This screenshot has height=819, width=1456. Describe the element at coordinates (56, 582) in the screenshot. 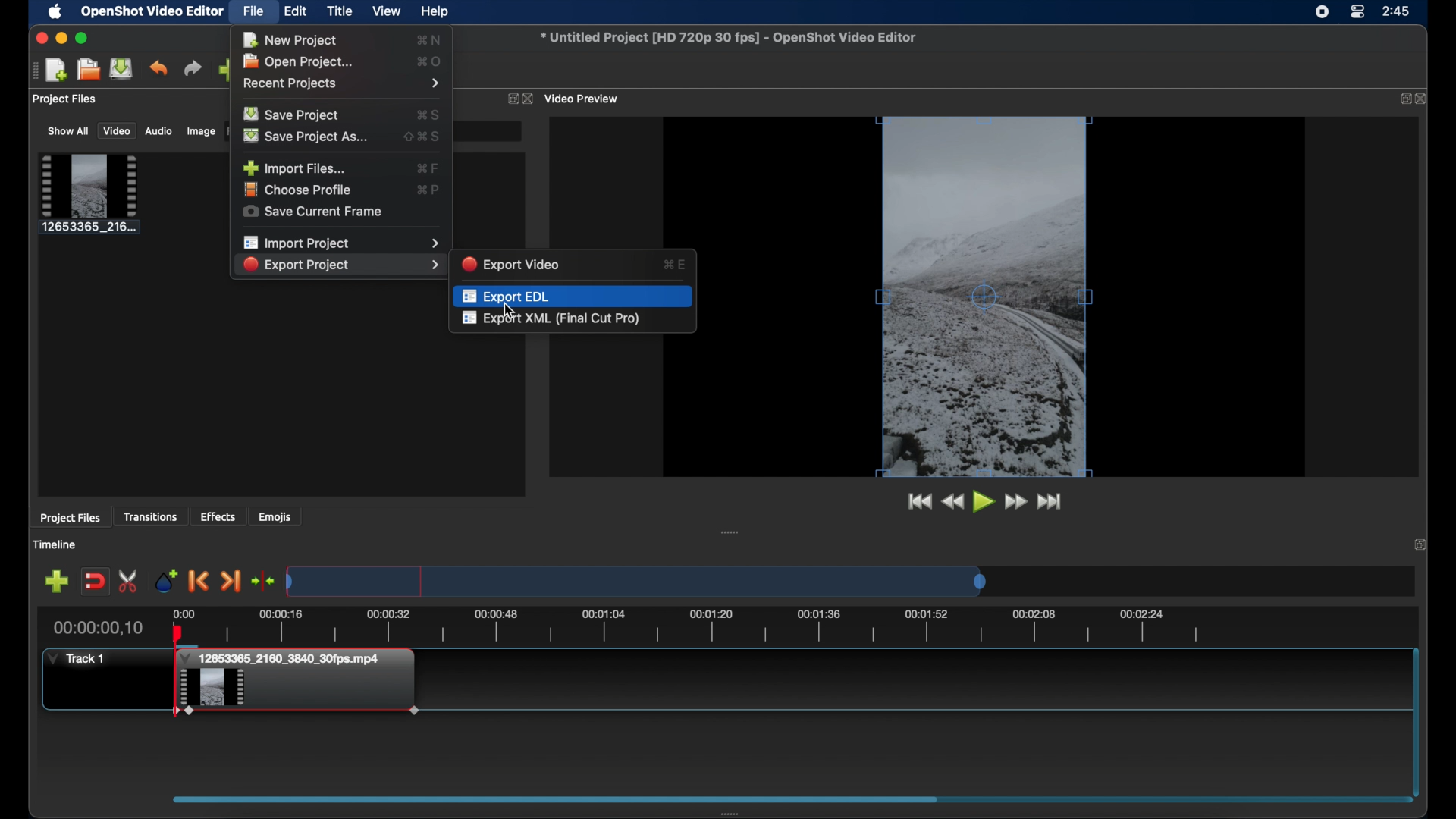

I see `add track` at that location.